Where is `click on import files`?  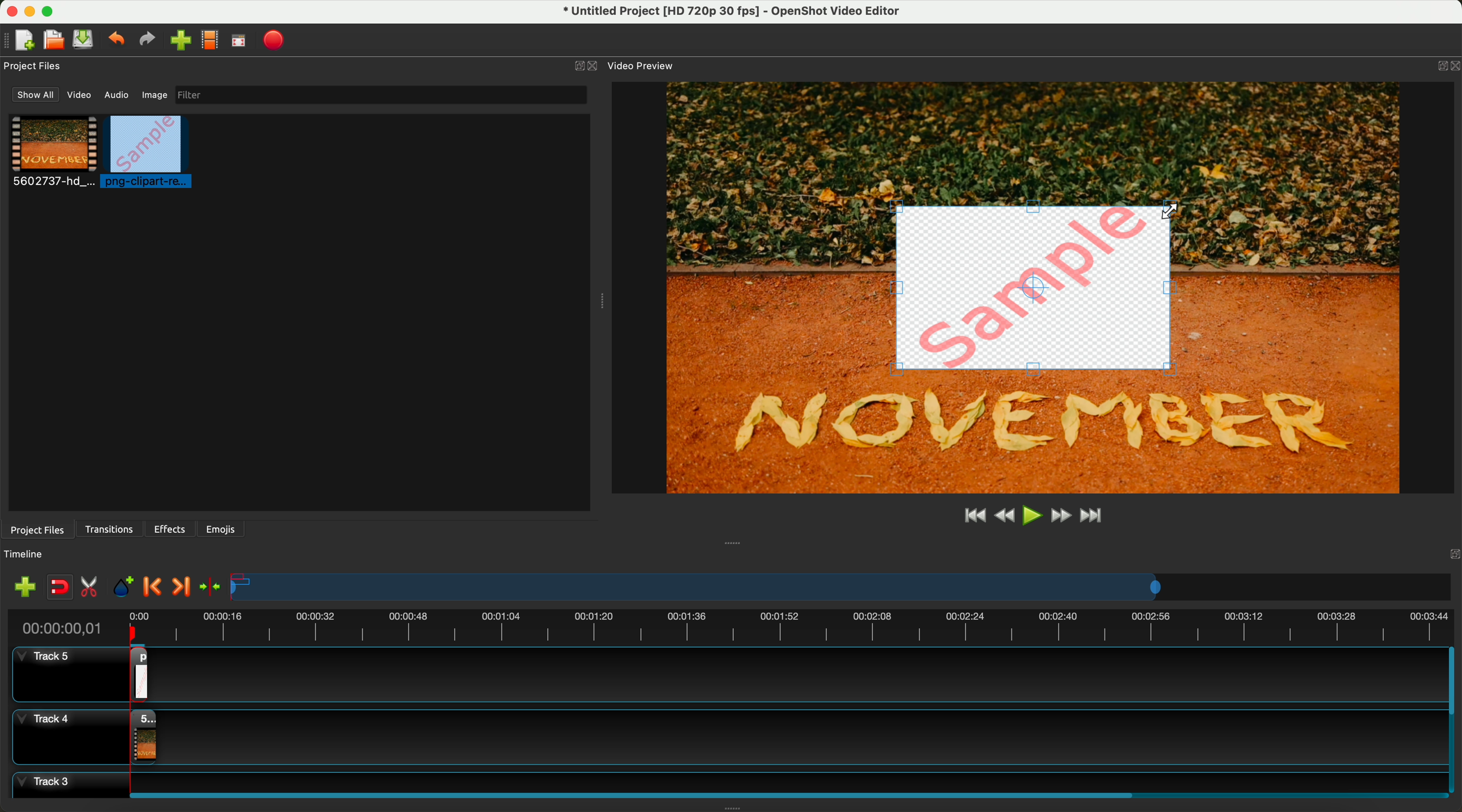 click on import files is located at coordinates (183, 41).